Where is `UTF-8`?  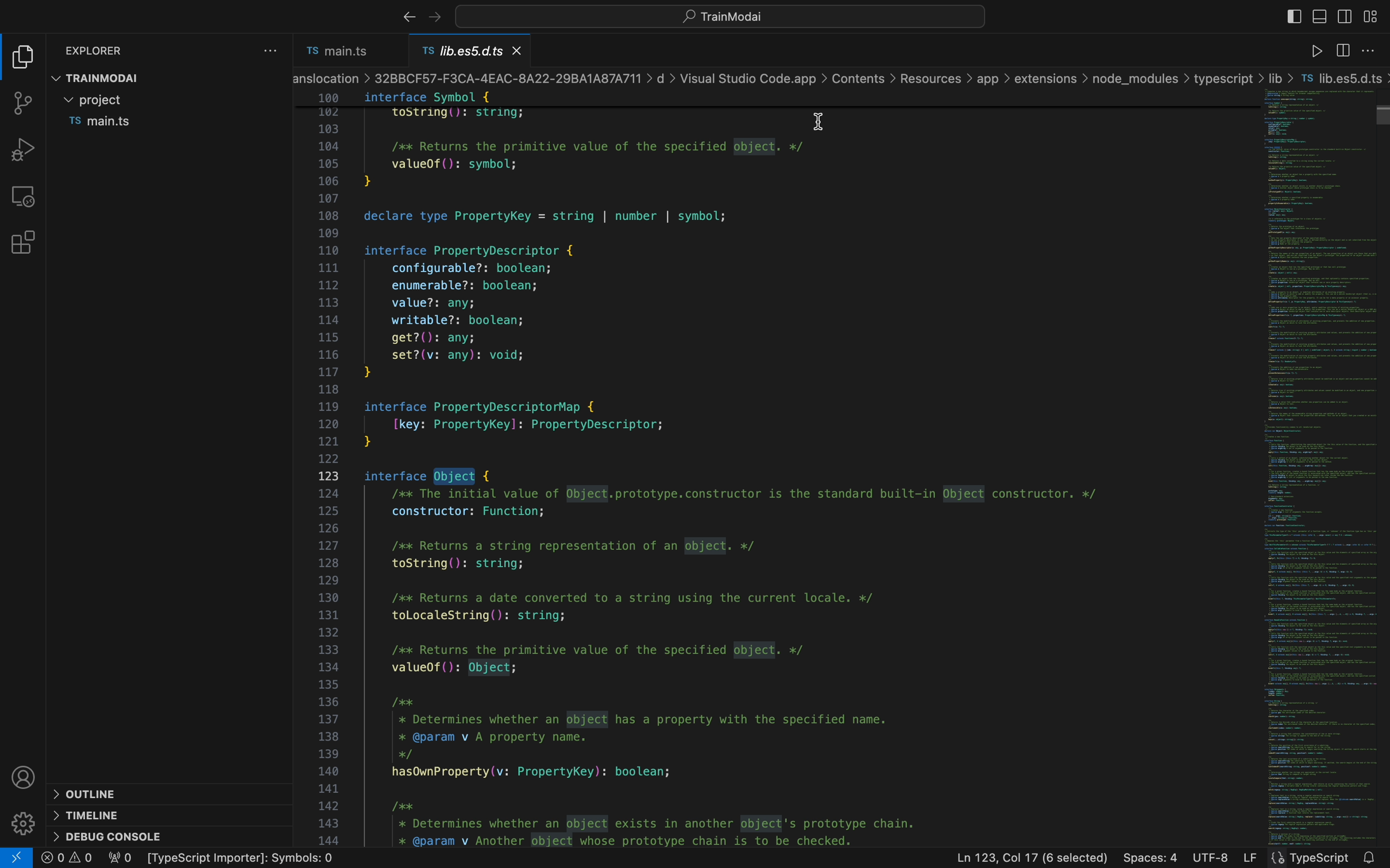 UTF-8 is located at coordinates (1212, 857).